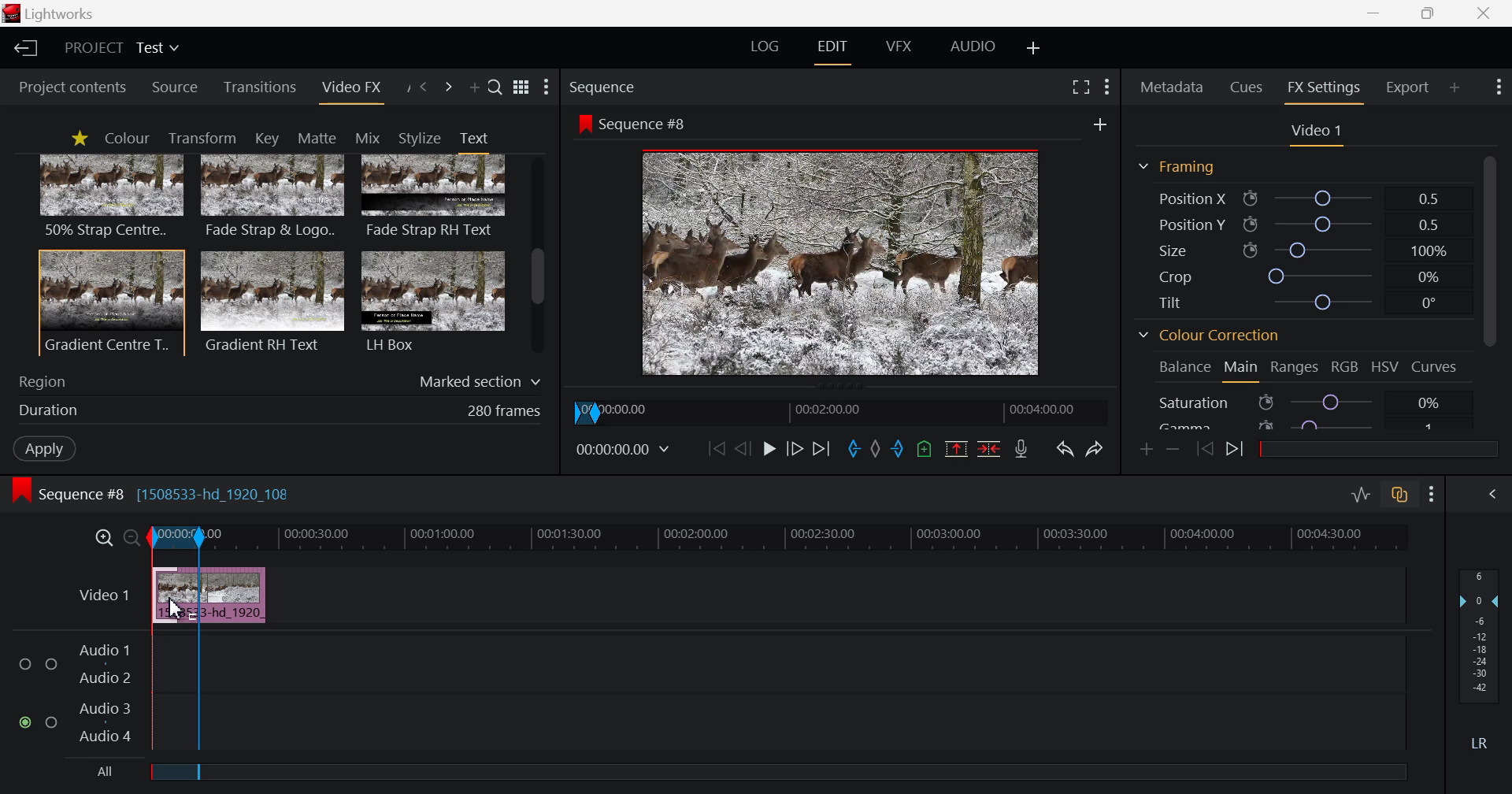  Describe the element at coordinates (448, 87) in the screenshot. I see `Next Panel` at that location.